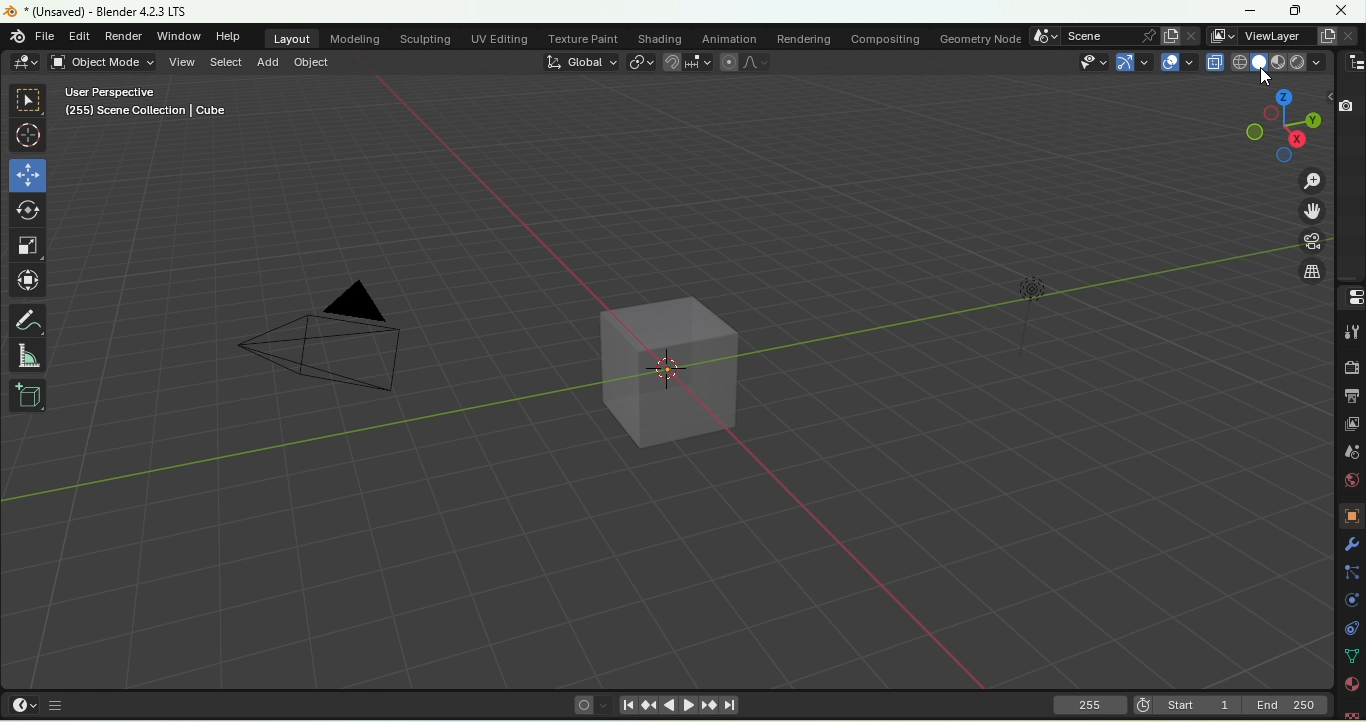 This screenshot has height=722, width=1366. Describe the element at coordinates (1278, 62) in the screenshot. I see `Viewport shading: Material Preview` at that location.